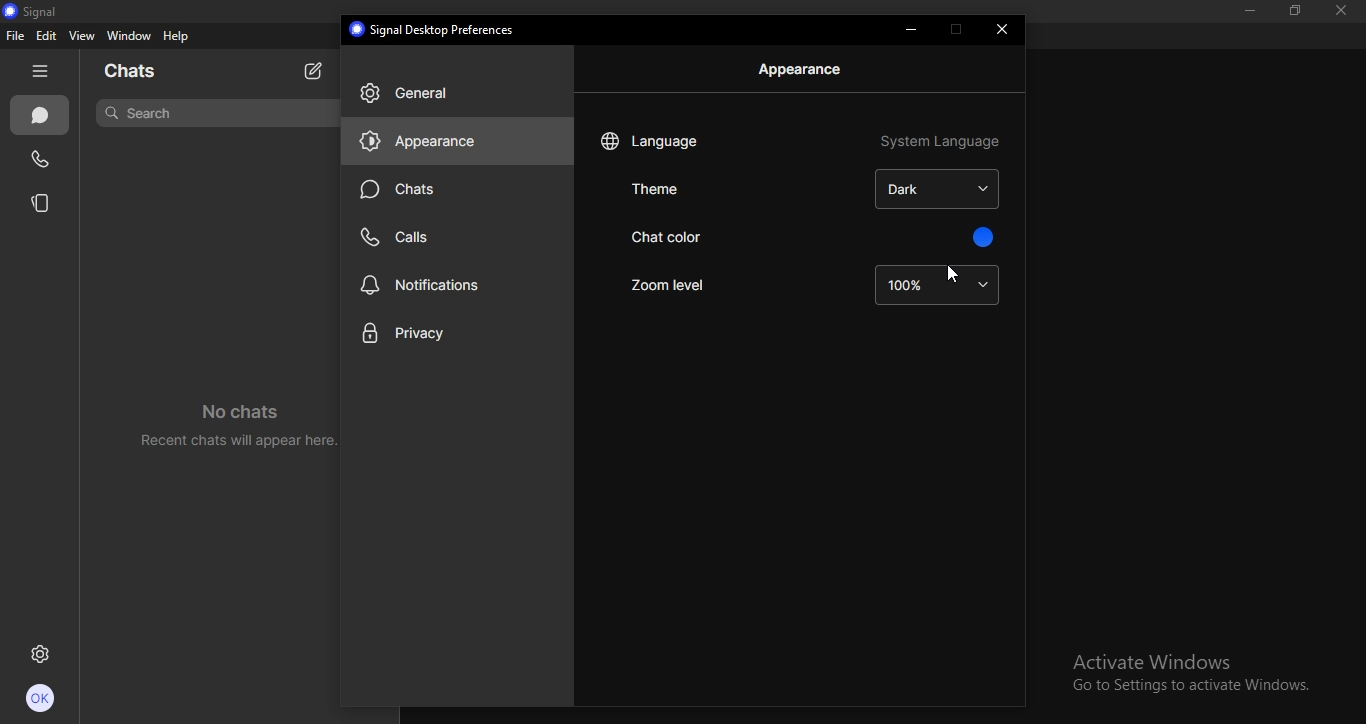 This screenshot has width=1366, height=724. I want to click on chats, so click(38, 116).